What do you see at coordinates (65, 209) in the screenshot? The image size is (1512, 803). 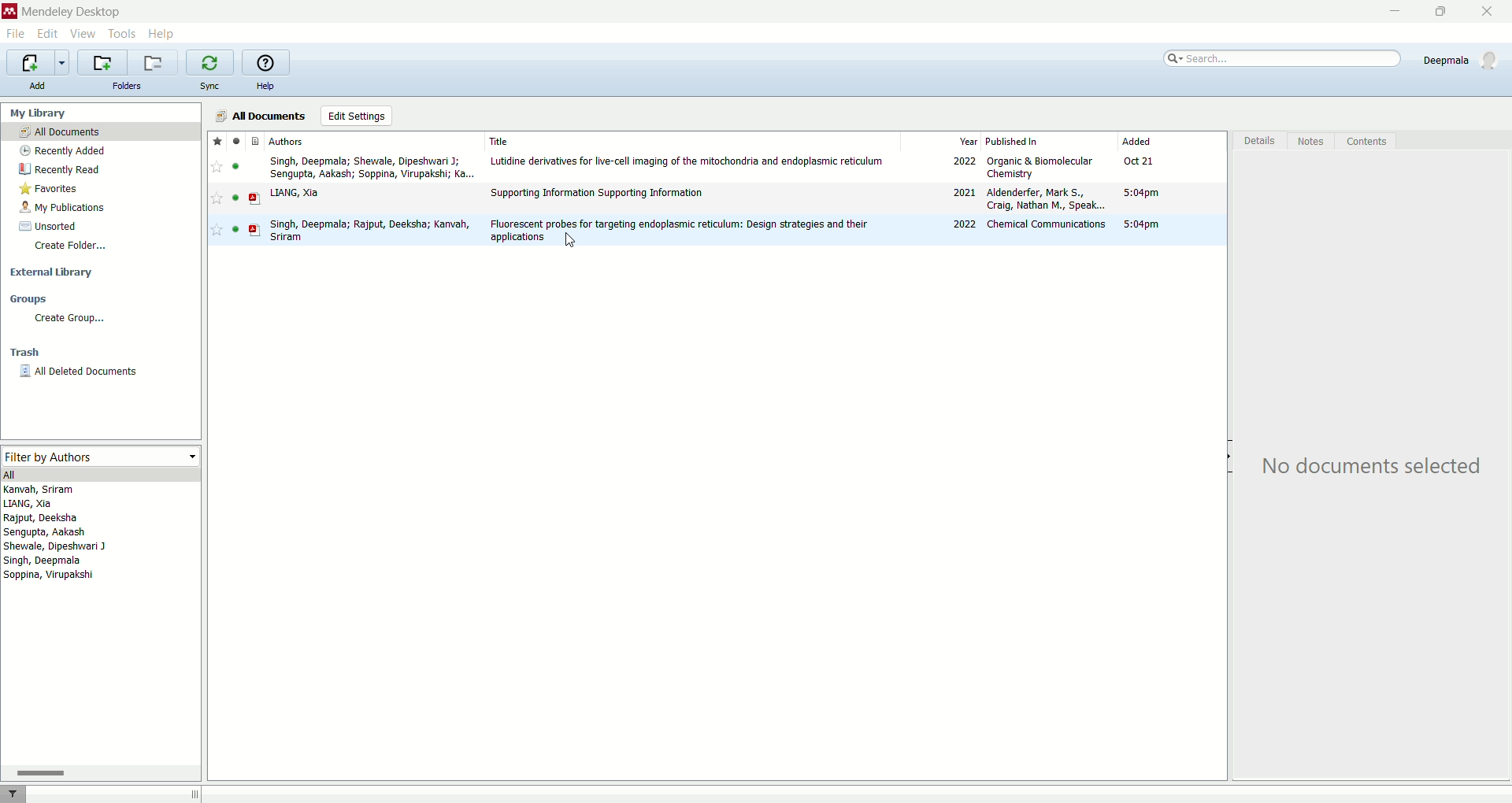 I see `my publications` at bounding box center [65, 209].